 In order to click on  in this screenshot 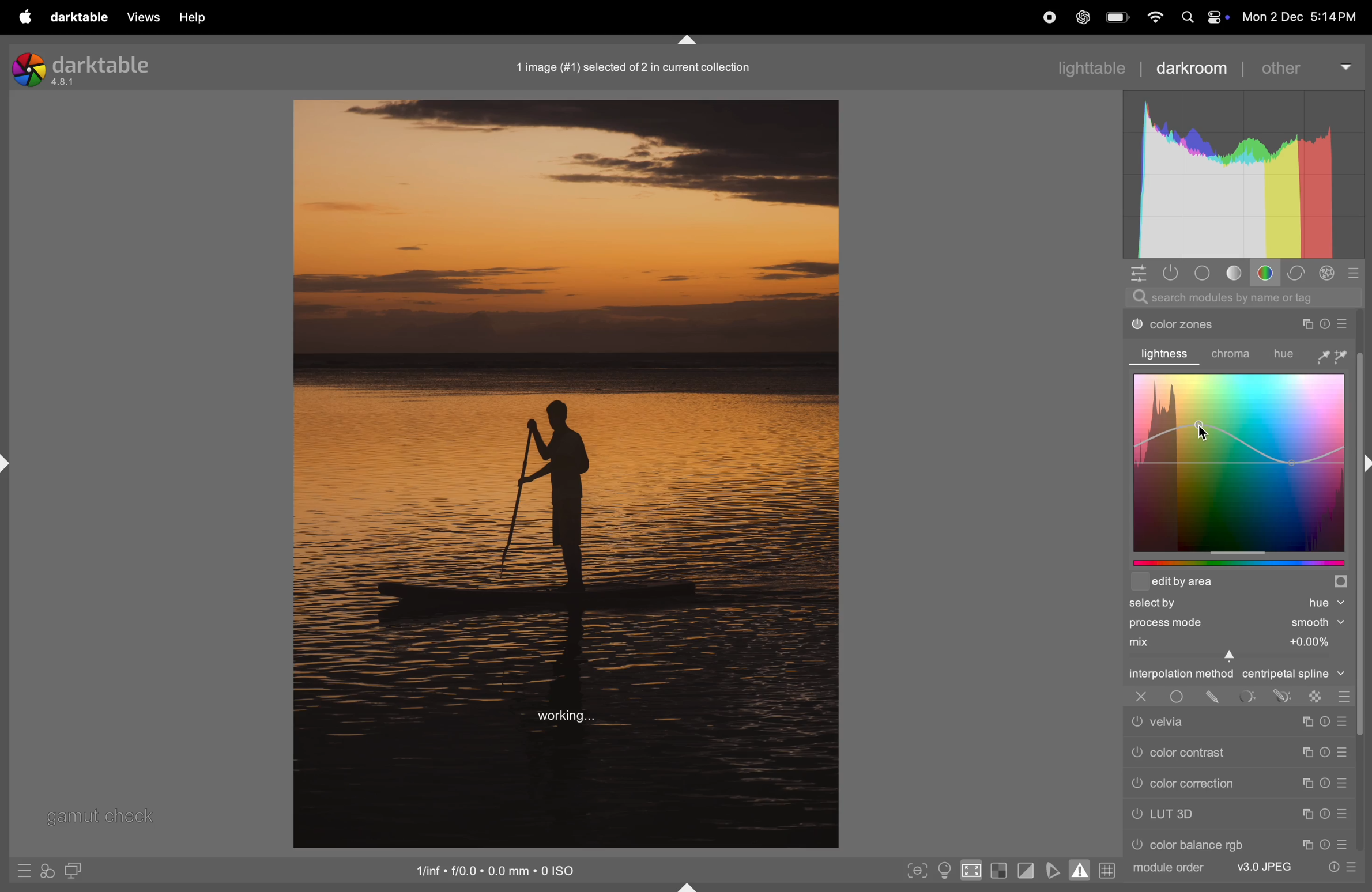, I will do `click(1340, 697)`.